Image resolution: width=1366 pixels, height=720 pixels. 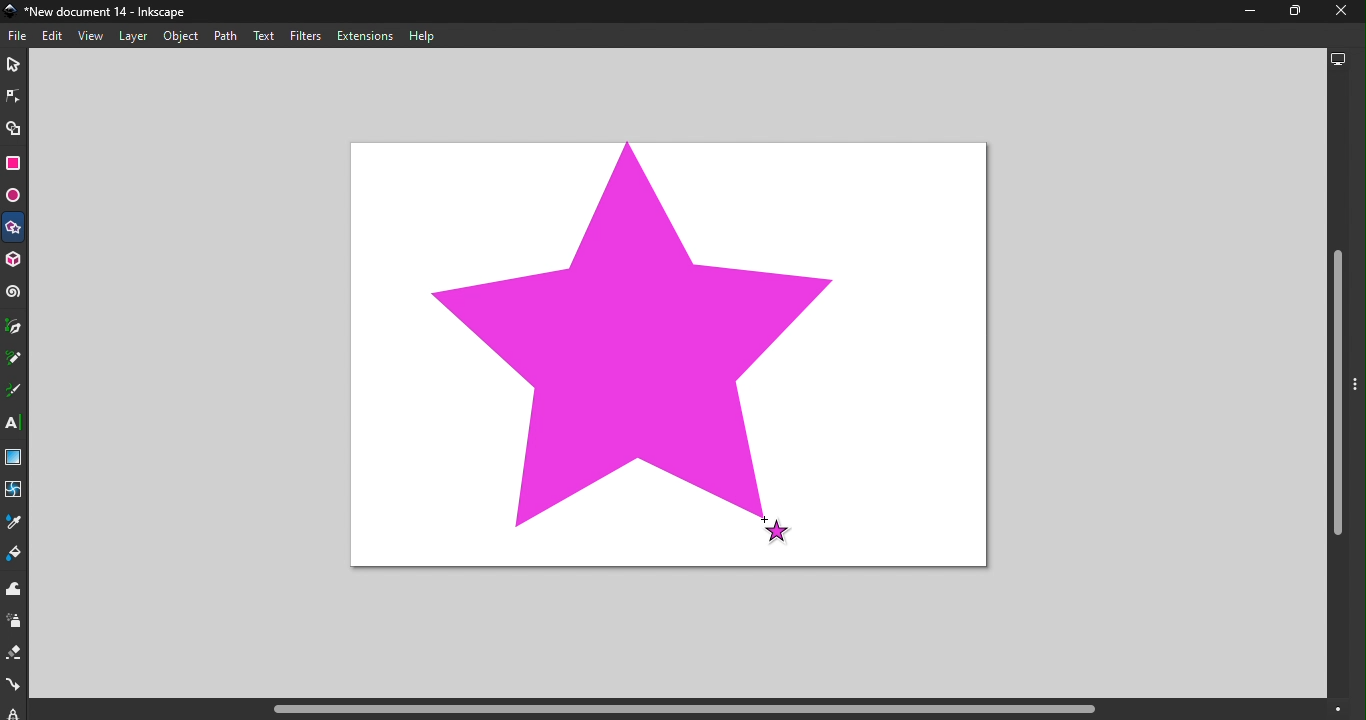 What do you see at coordinates (428, 34) in the screenshot?
I see `Help` at bounding box center [428, 34].